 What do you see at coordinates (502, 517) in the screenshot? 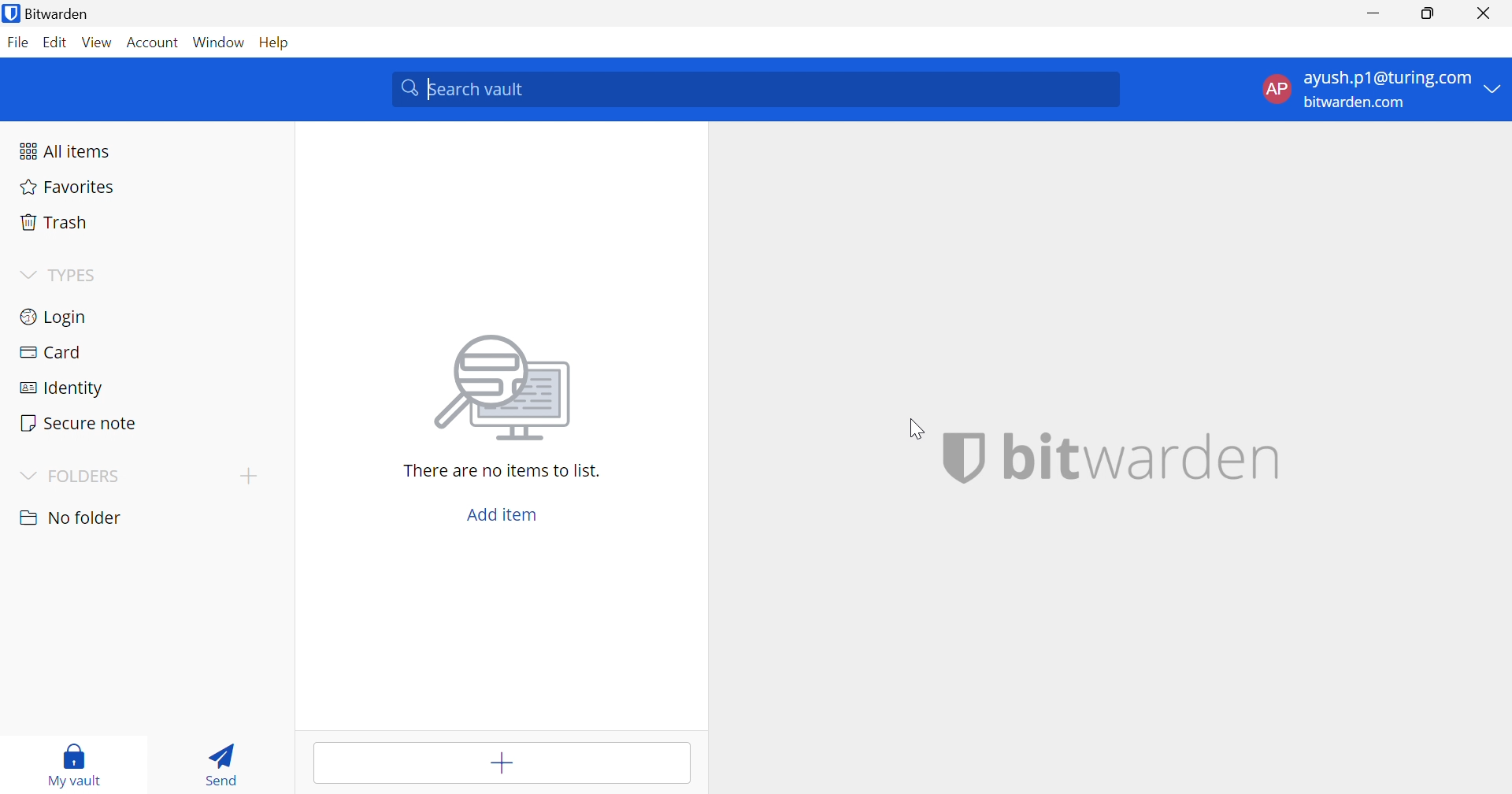
I see `Add item` at bounding box center [502, 517].